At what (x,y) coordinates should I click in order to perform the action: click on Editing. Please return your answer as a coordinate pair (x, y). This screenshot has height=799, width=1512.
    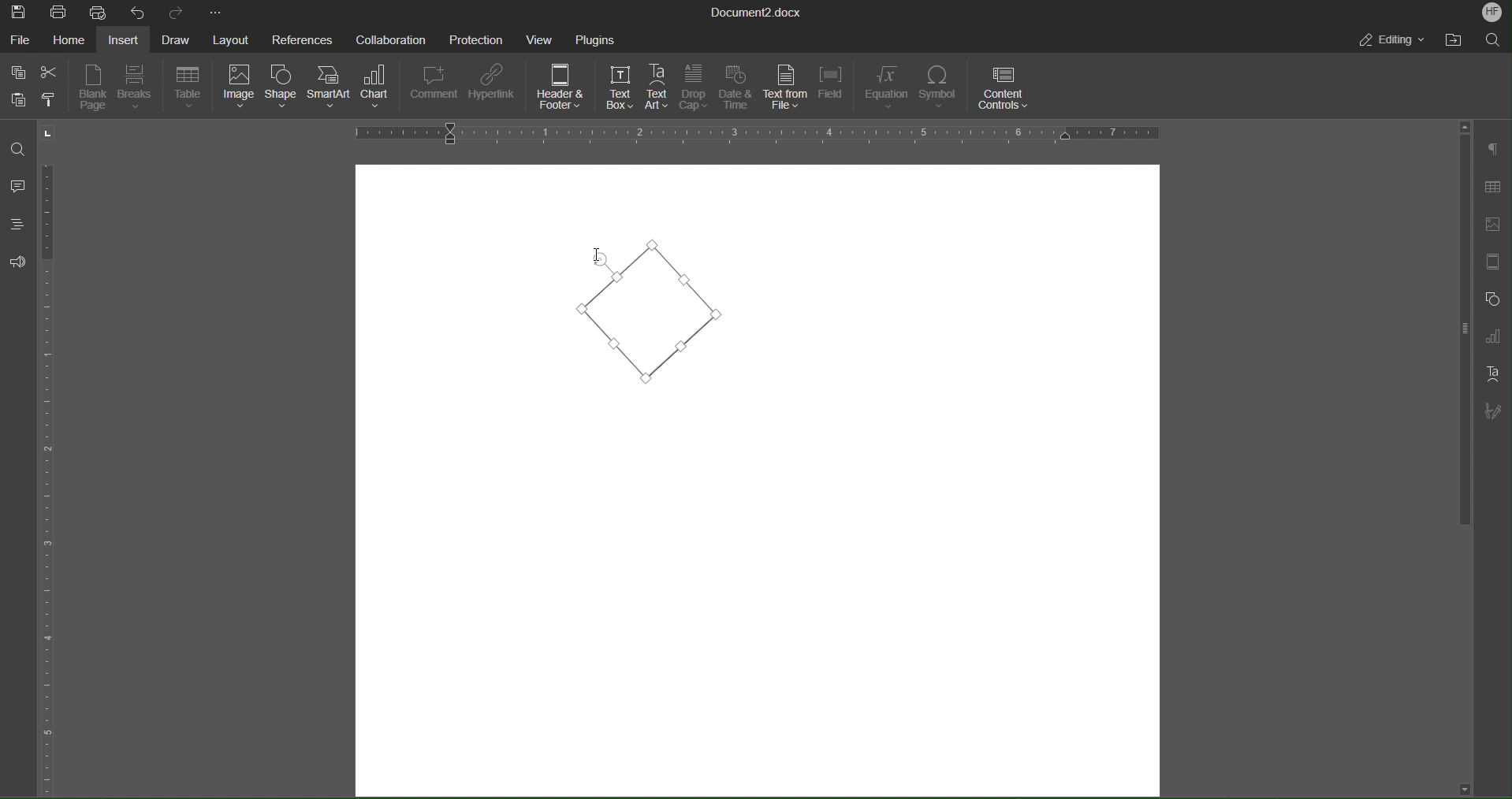
    Looking at the image, I should click on (1395, 42).